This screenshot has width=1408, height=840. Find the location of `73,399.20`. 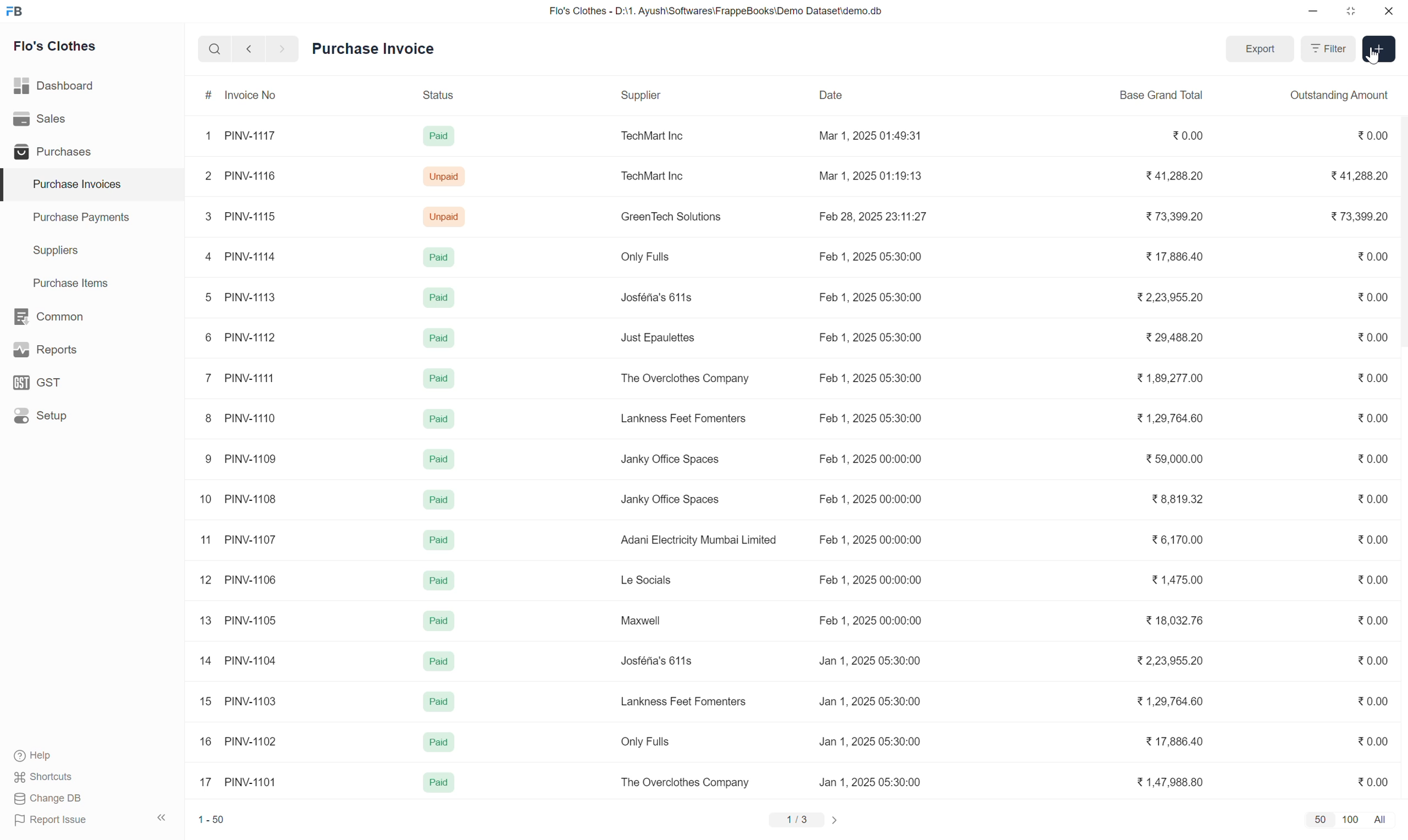

73,399.20 is located at coordinates (1172, 216).